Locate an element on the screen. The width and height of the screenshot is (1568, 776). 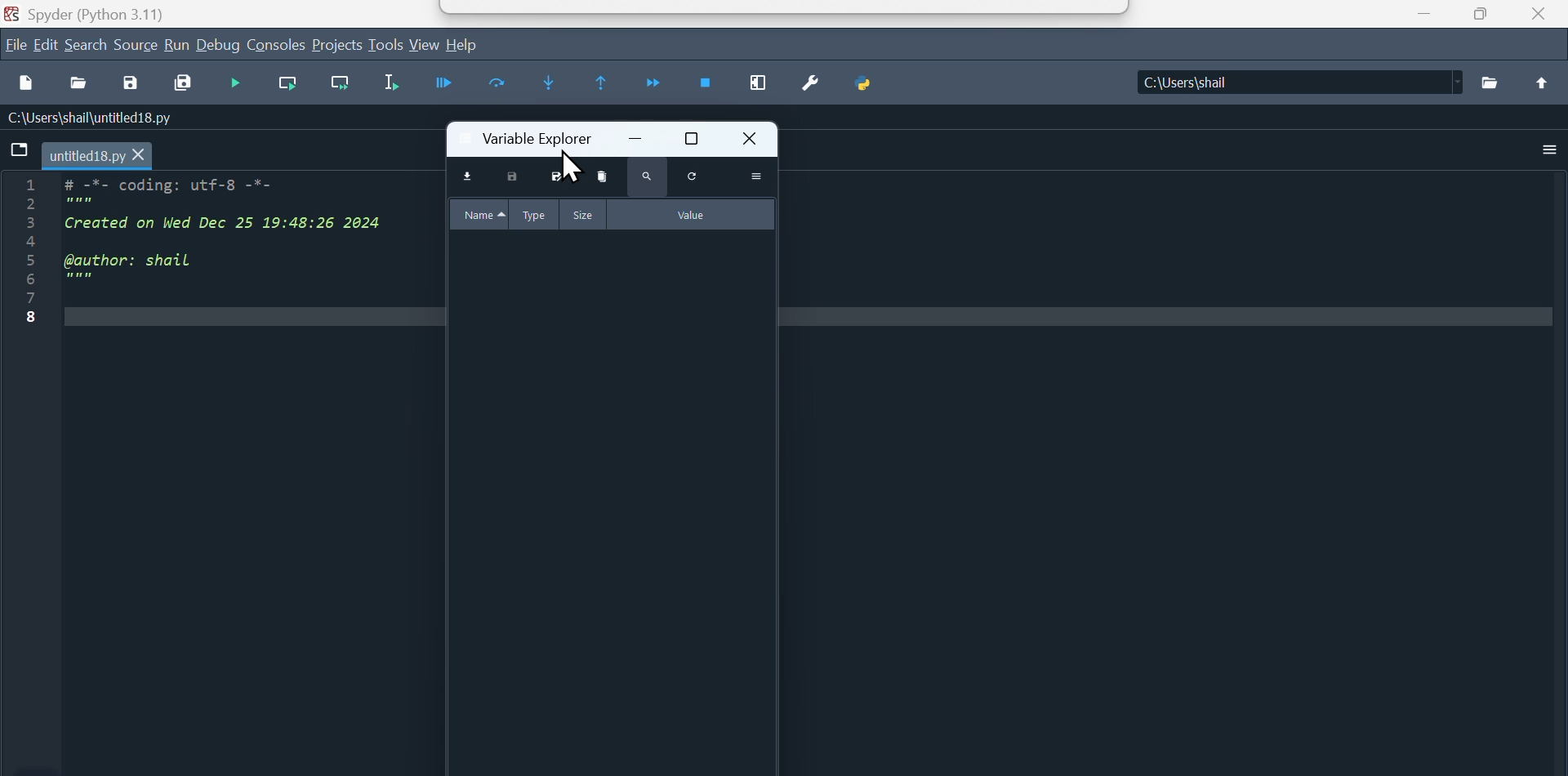
minimize is located at coordinates (635, 140).